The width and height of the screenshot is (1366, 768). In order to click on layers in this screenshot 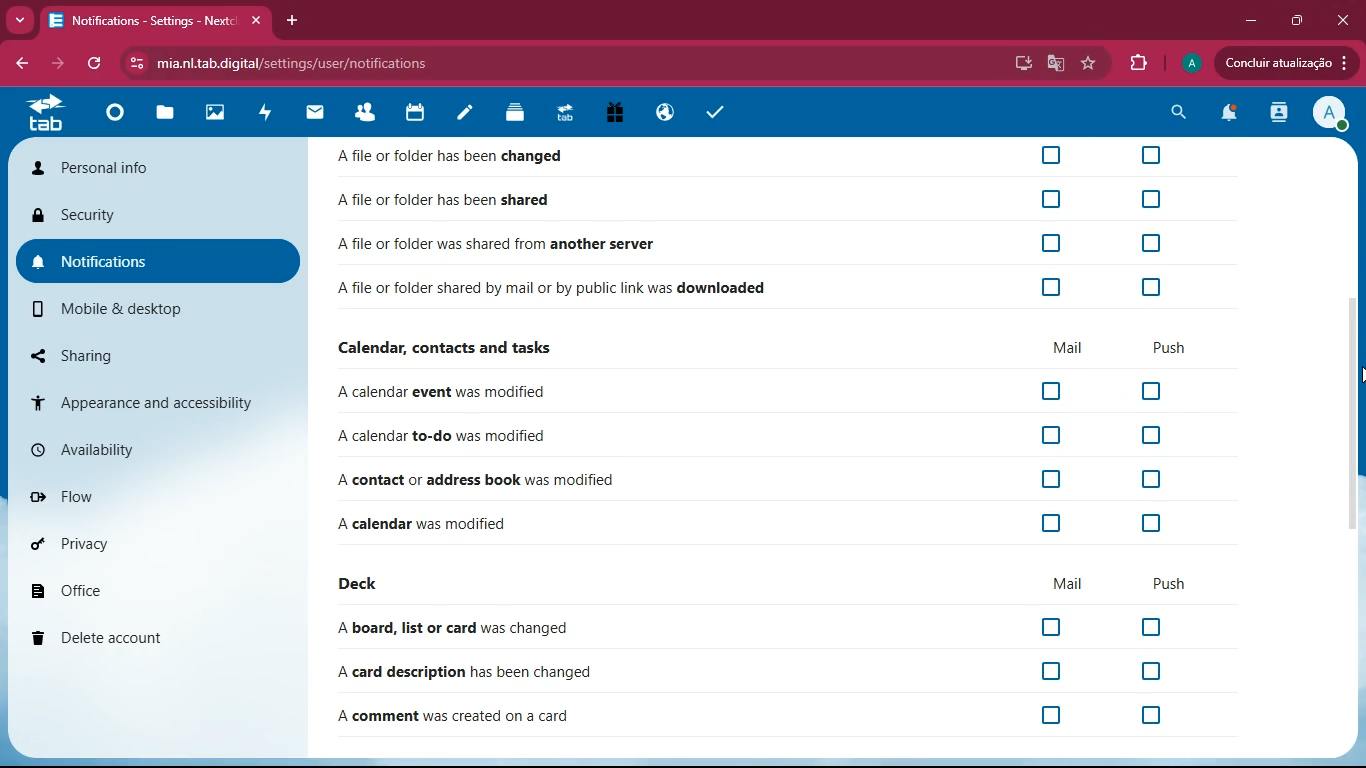, I will do `click(519, 113)`.